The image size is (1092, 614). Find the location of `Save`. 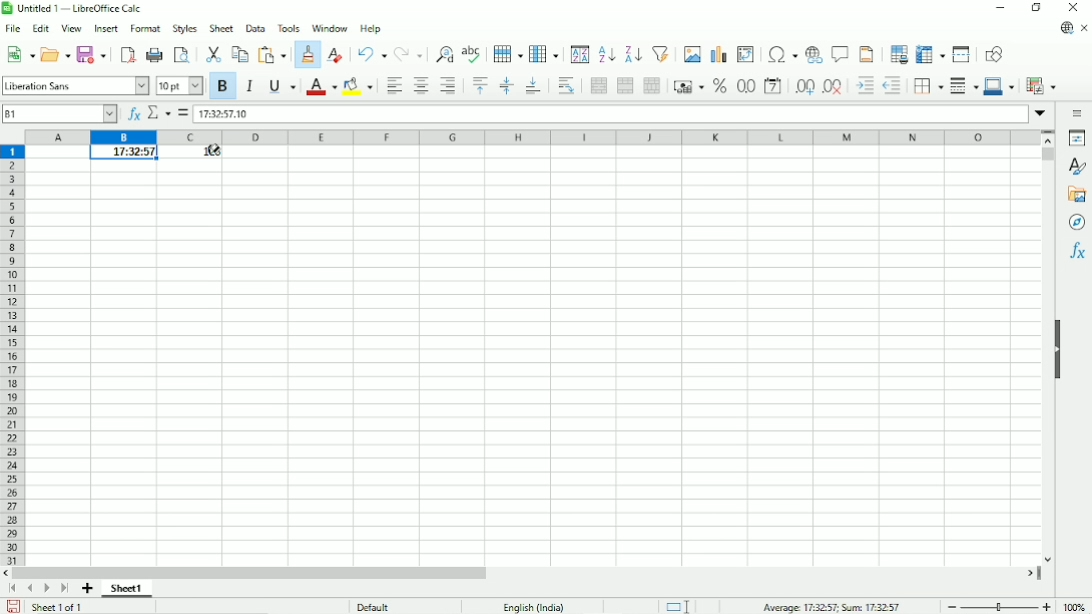

Save is located at coordinates (13, 606).